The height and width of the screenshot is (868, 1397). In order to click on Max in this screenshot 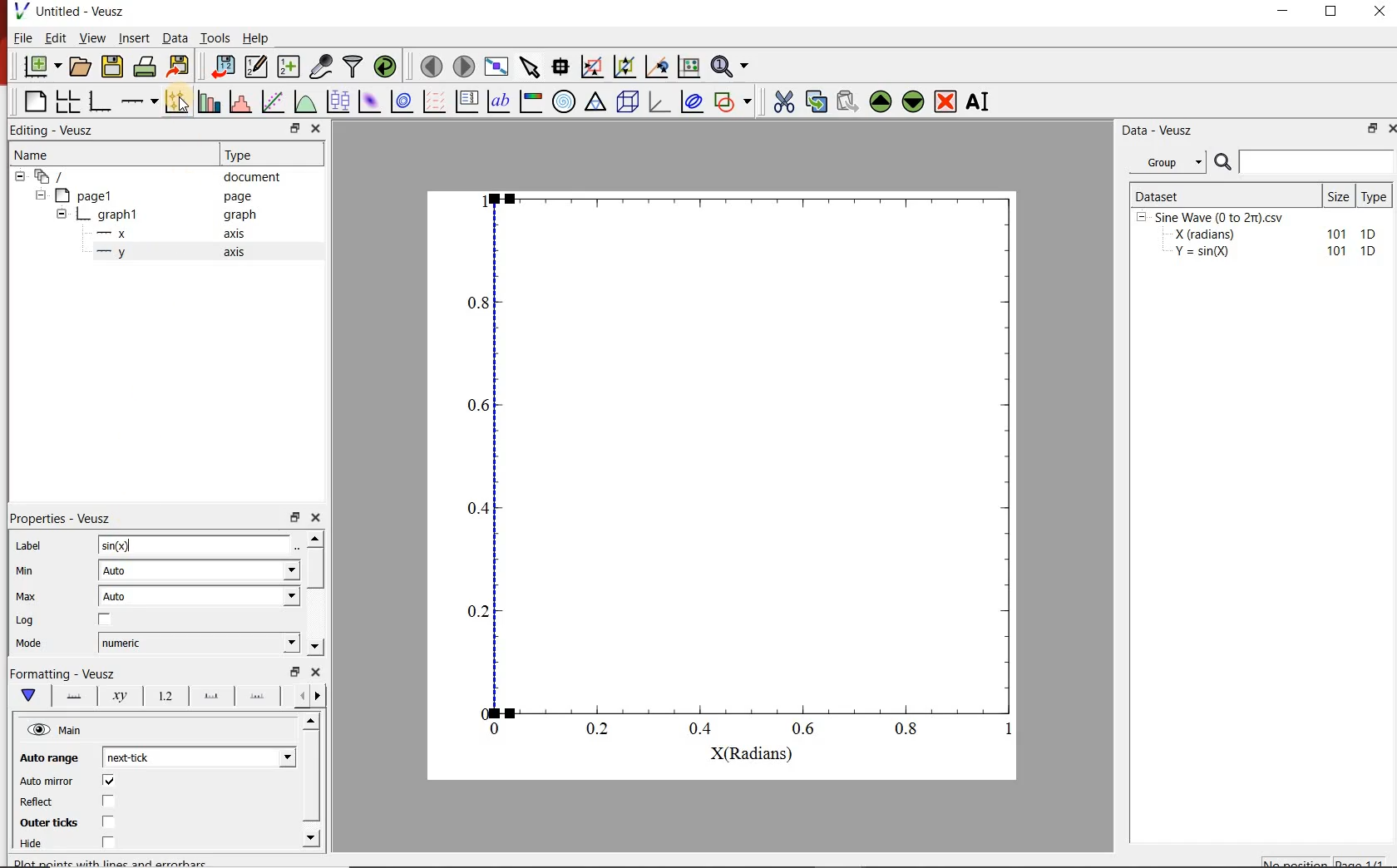, I will do `click(27, 596)`.